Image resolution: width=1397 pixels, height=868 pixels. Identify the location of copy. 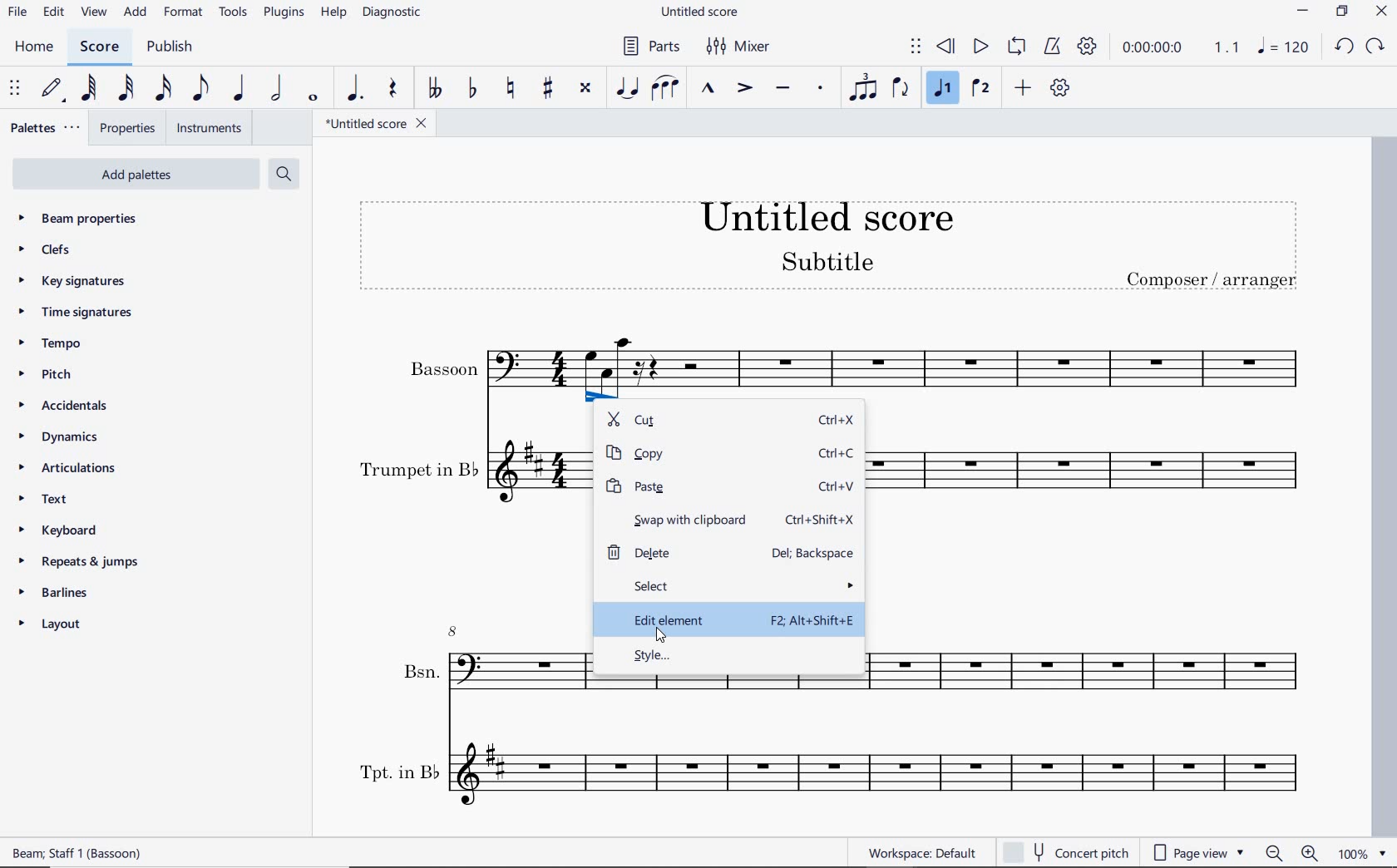
(730, 452).